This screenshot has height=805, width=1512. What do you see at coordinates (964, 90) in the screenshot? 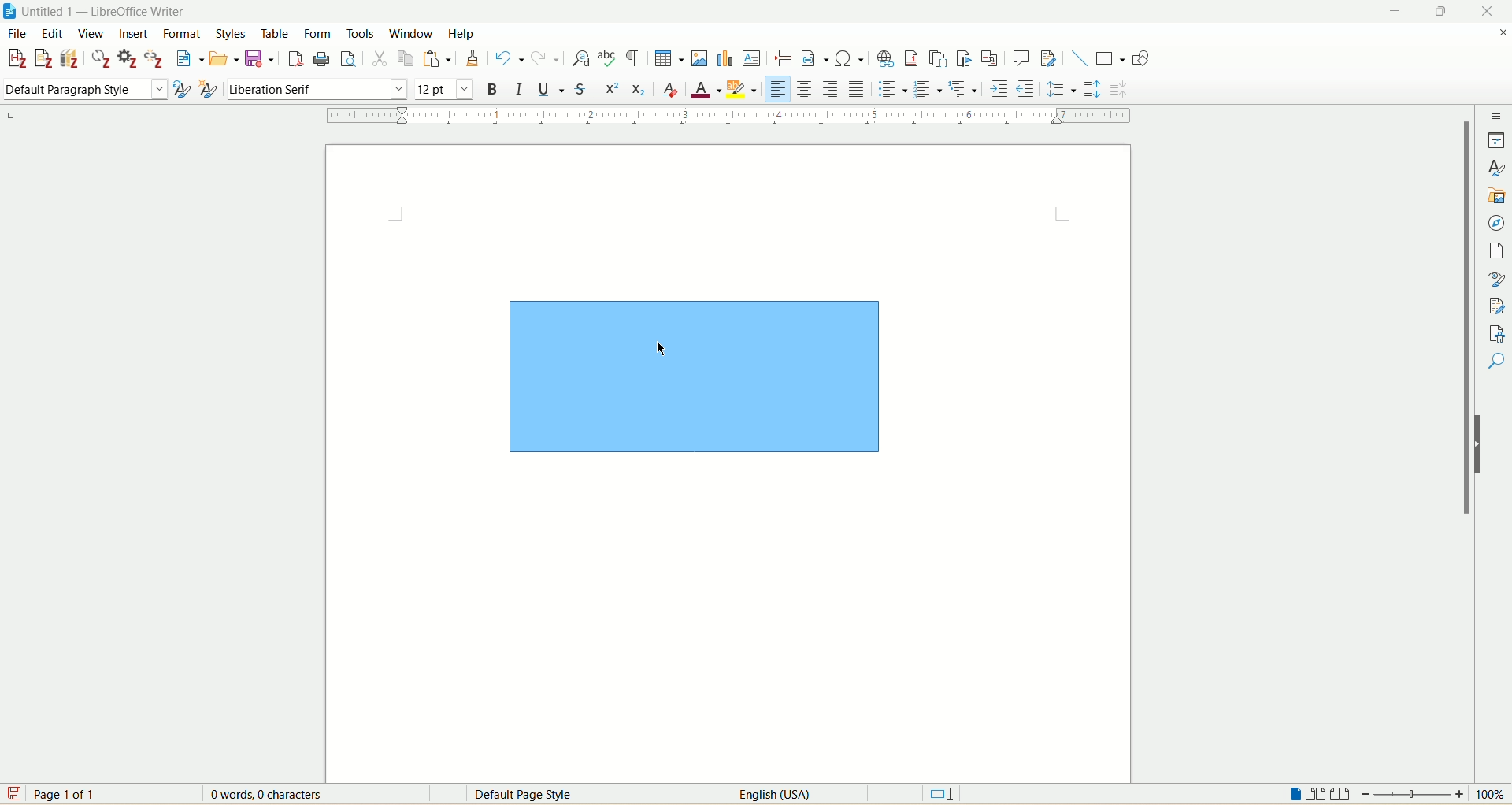
I see `format outline` at bounding box center [964, 90].